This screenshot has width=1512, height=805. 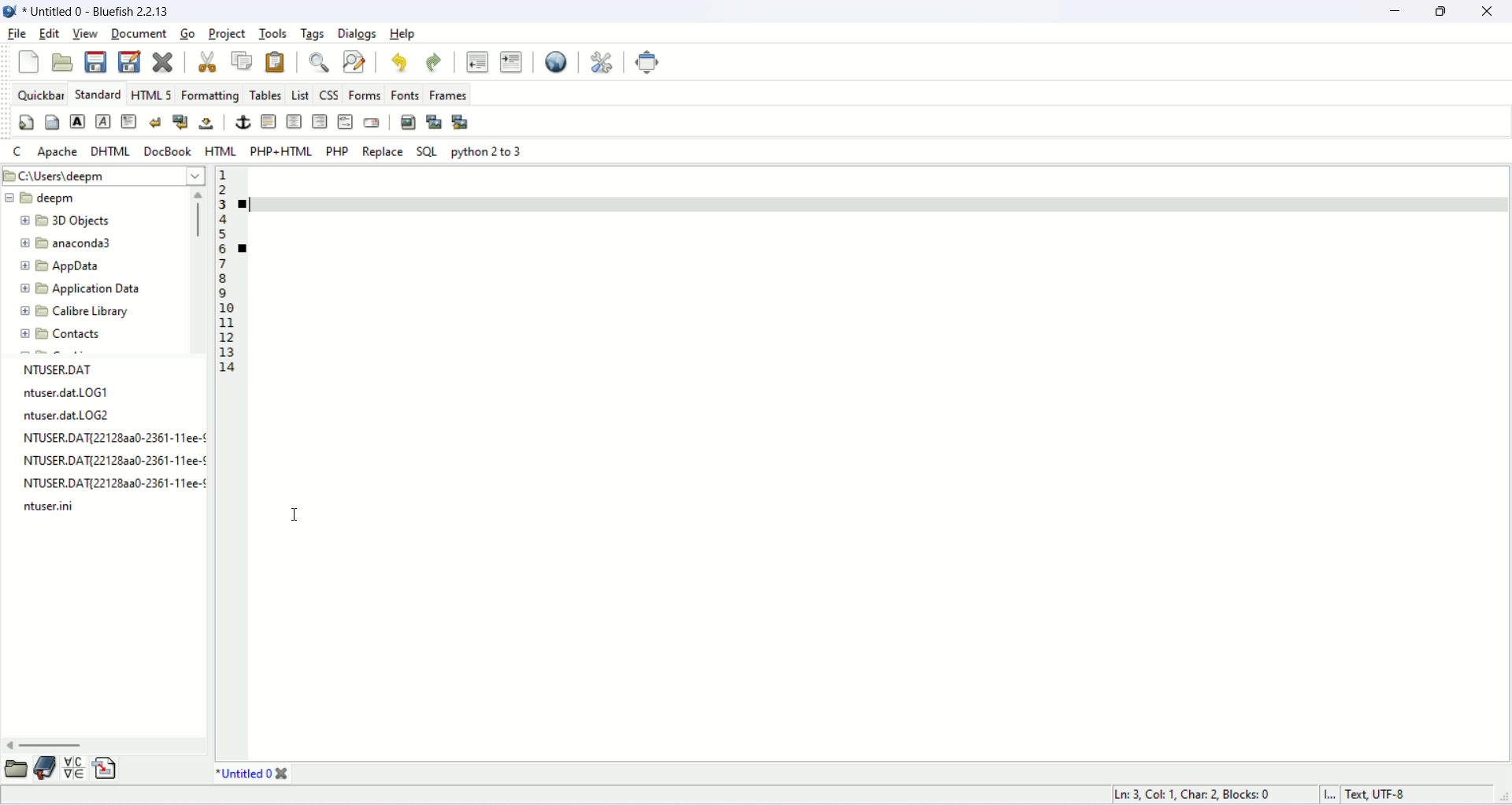 What do you see at coordinates (131, 121) in the screenshot?
I see `paragraph` at bounding box center [131, 121].